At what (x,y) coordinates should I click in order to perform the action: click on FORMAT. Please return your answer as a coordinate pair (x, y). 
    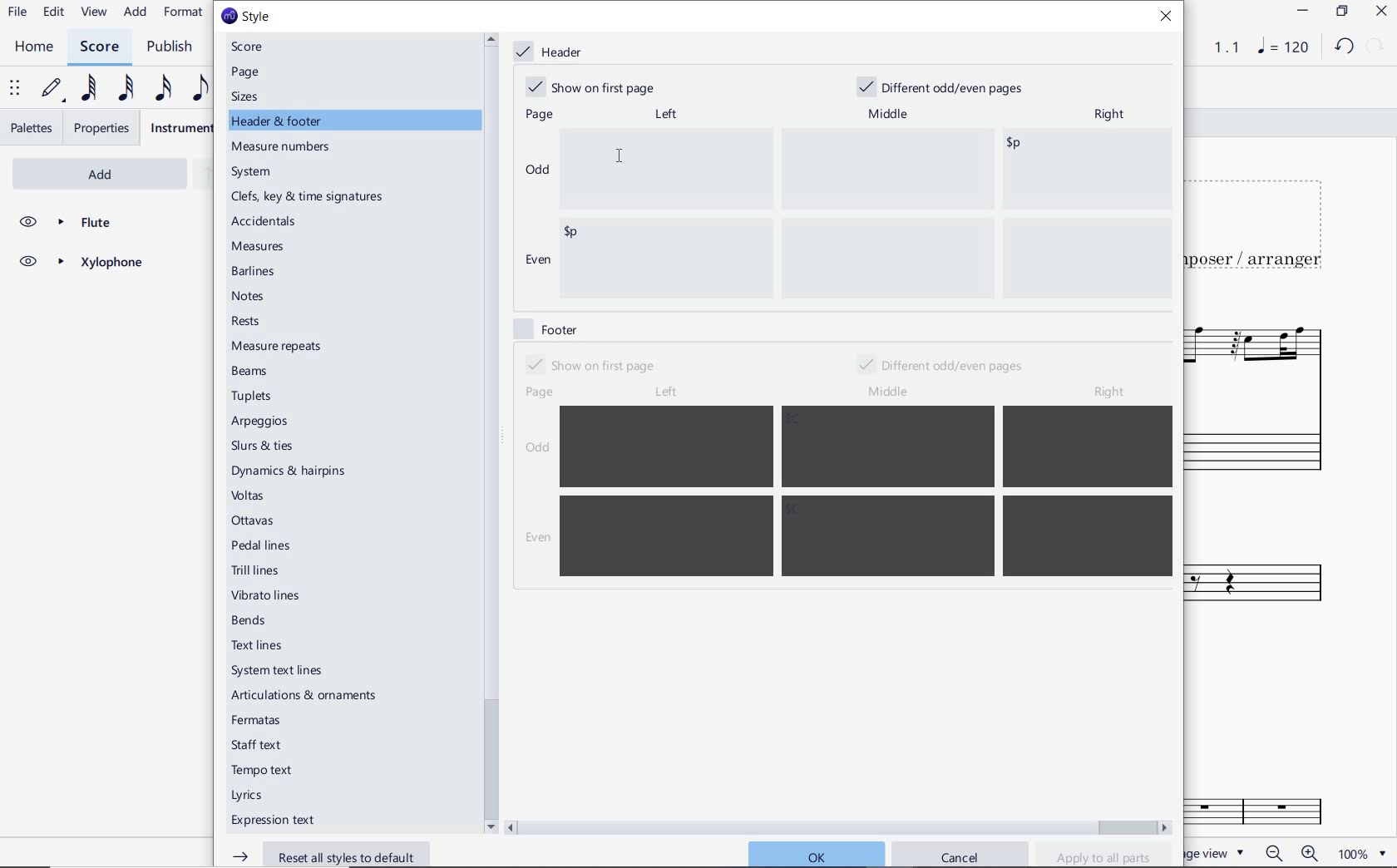
    Looking at the image, I should click on (184, 13).